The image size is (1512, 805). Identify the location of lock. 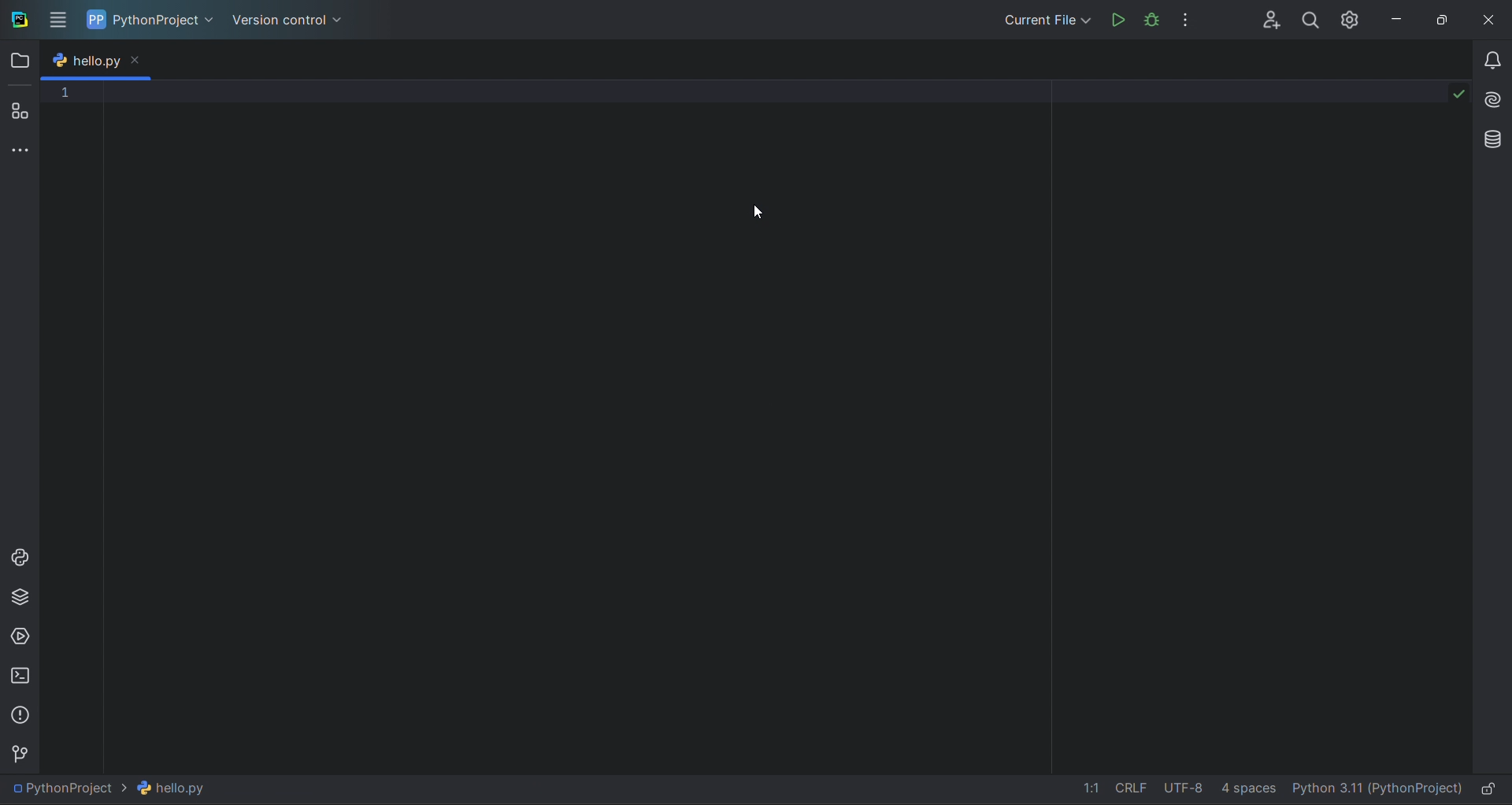
(1495, 788).